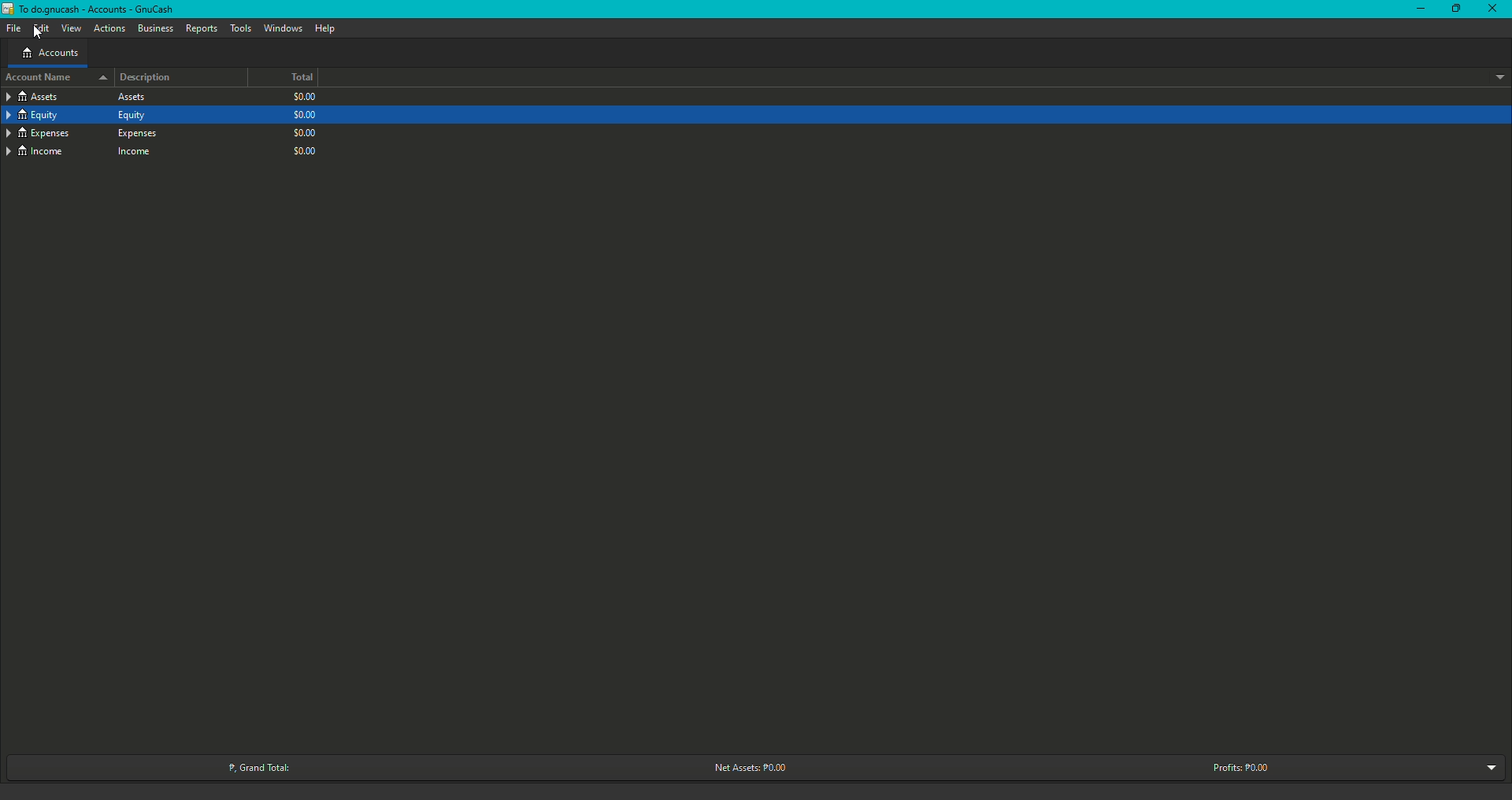 The image size is (1512, 800). What do you see at coordinates (290, 79) in the screenshot?
I see `Total` at bounding box center [290, 79].